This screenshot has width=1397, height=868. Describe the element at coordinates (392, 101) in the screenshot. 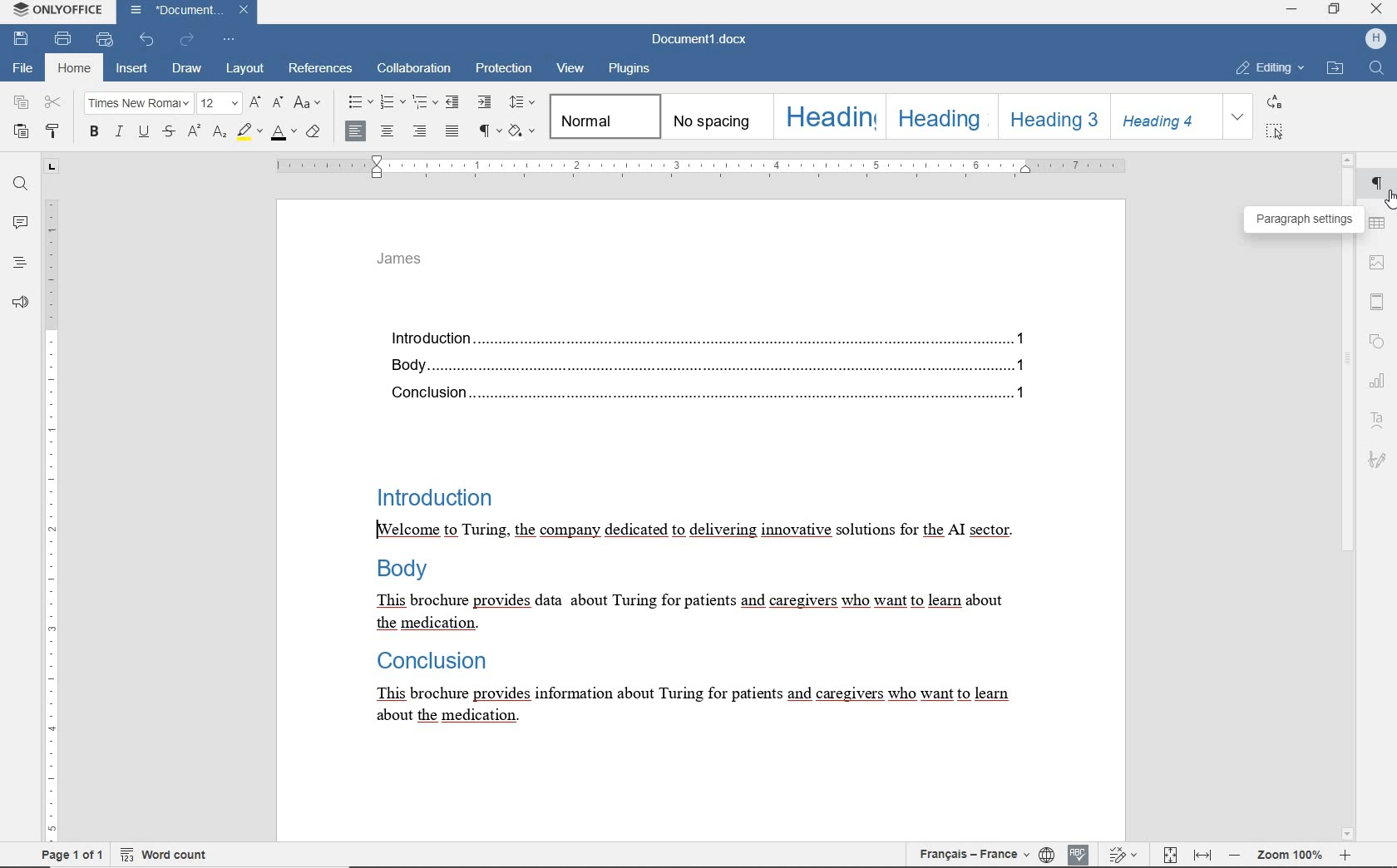

I see `numbering` at that location.